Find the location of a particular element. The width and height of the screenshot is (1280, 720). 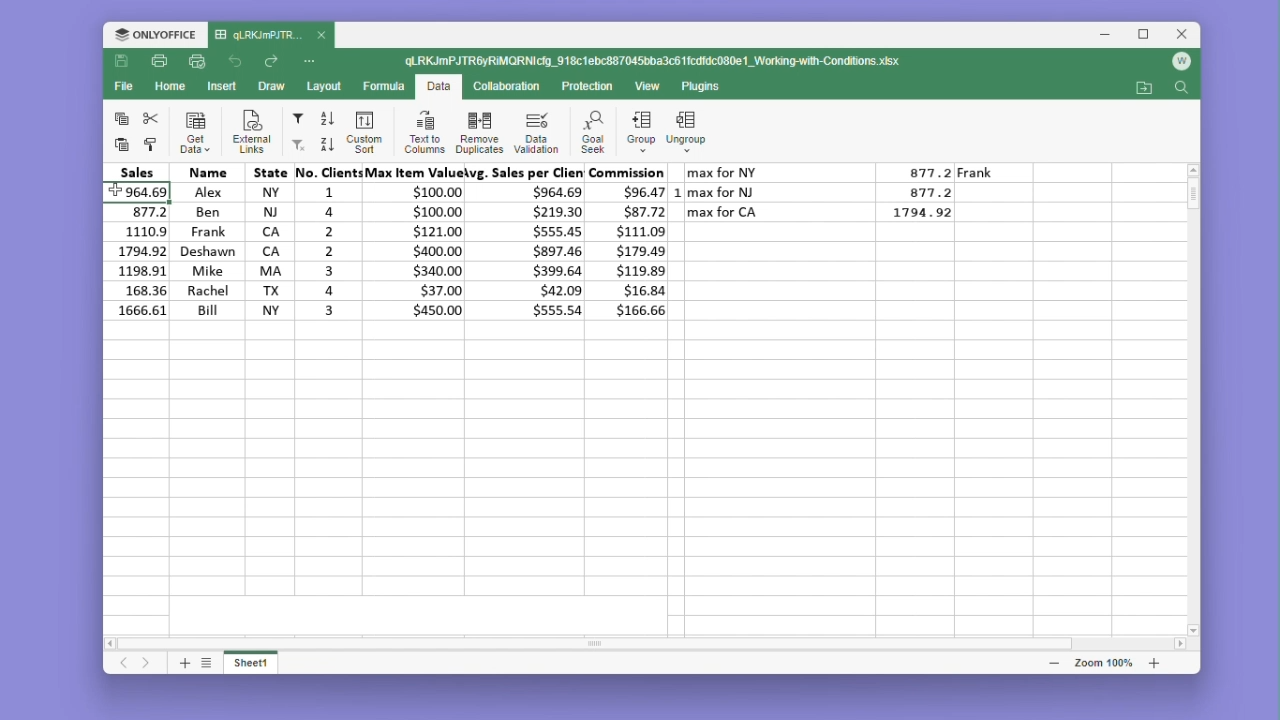

Insert is located at coordinates (222, 85).